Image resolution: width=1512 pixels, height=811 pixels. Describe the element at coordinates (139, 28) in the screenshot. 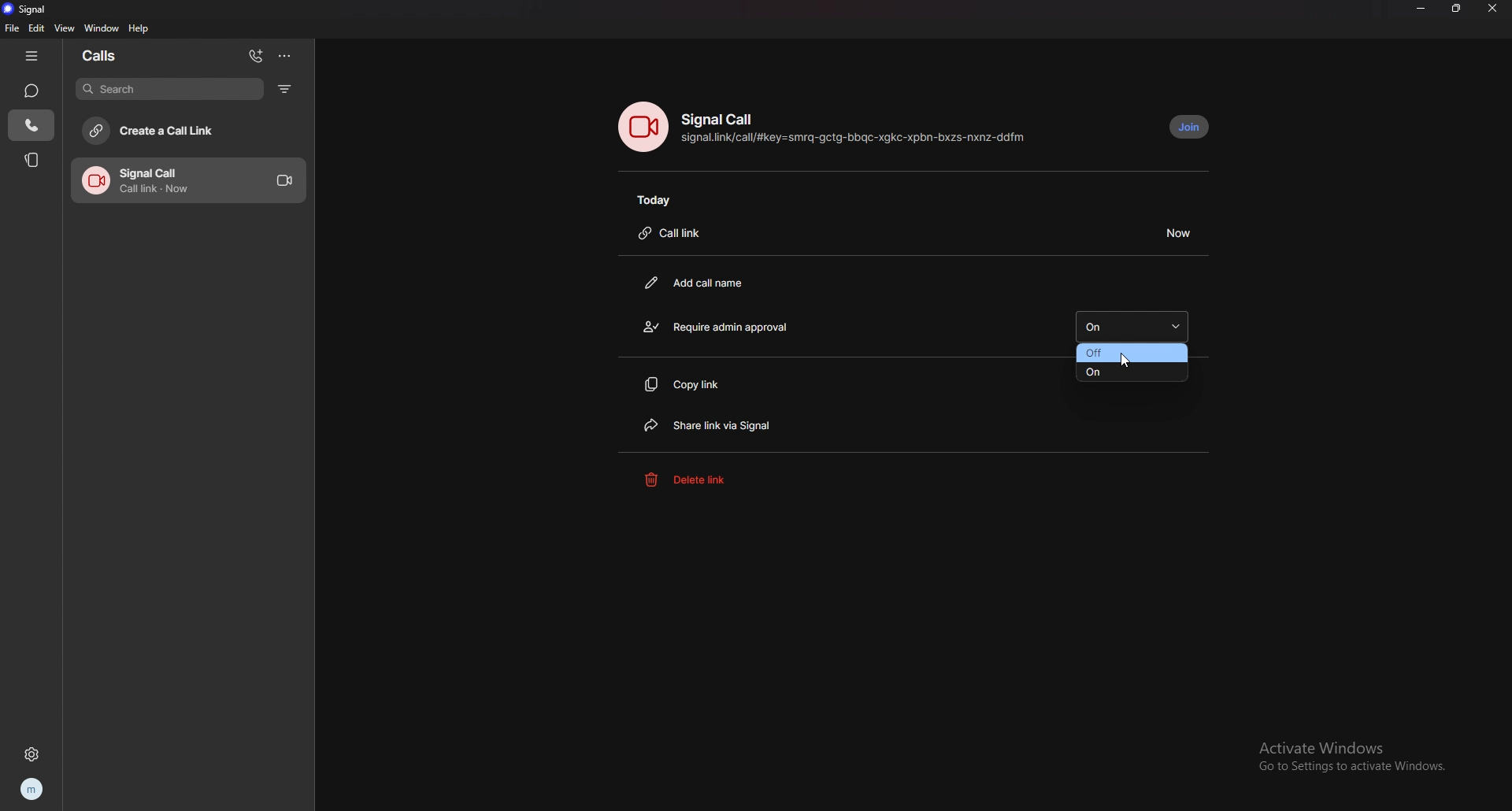

I see `help` at that location.